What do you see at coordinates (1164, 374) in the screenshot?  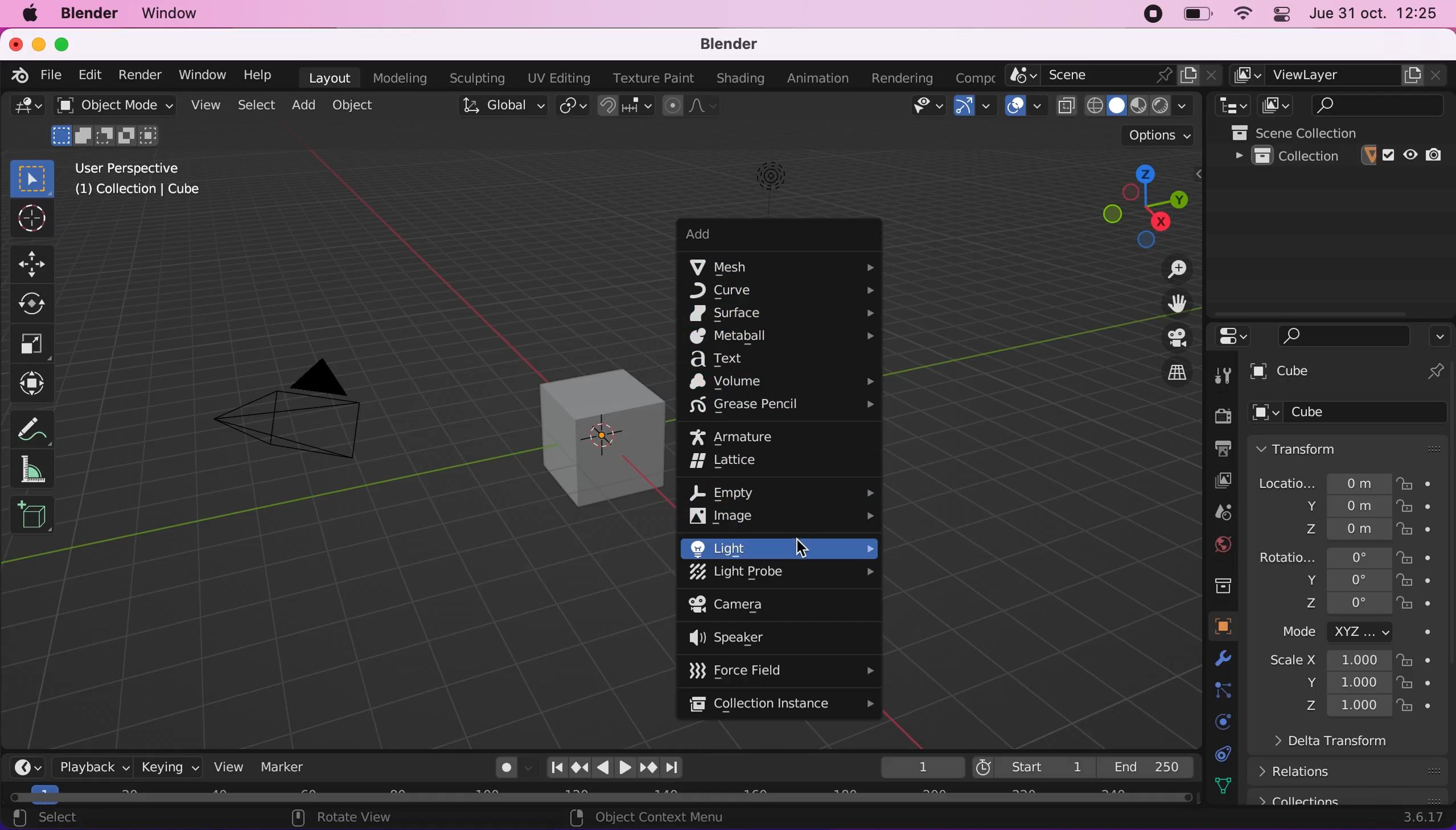 I see `switch the current view` at bounding box center [1164, 374].